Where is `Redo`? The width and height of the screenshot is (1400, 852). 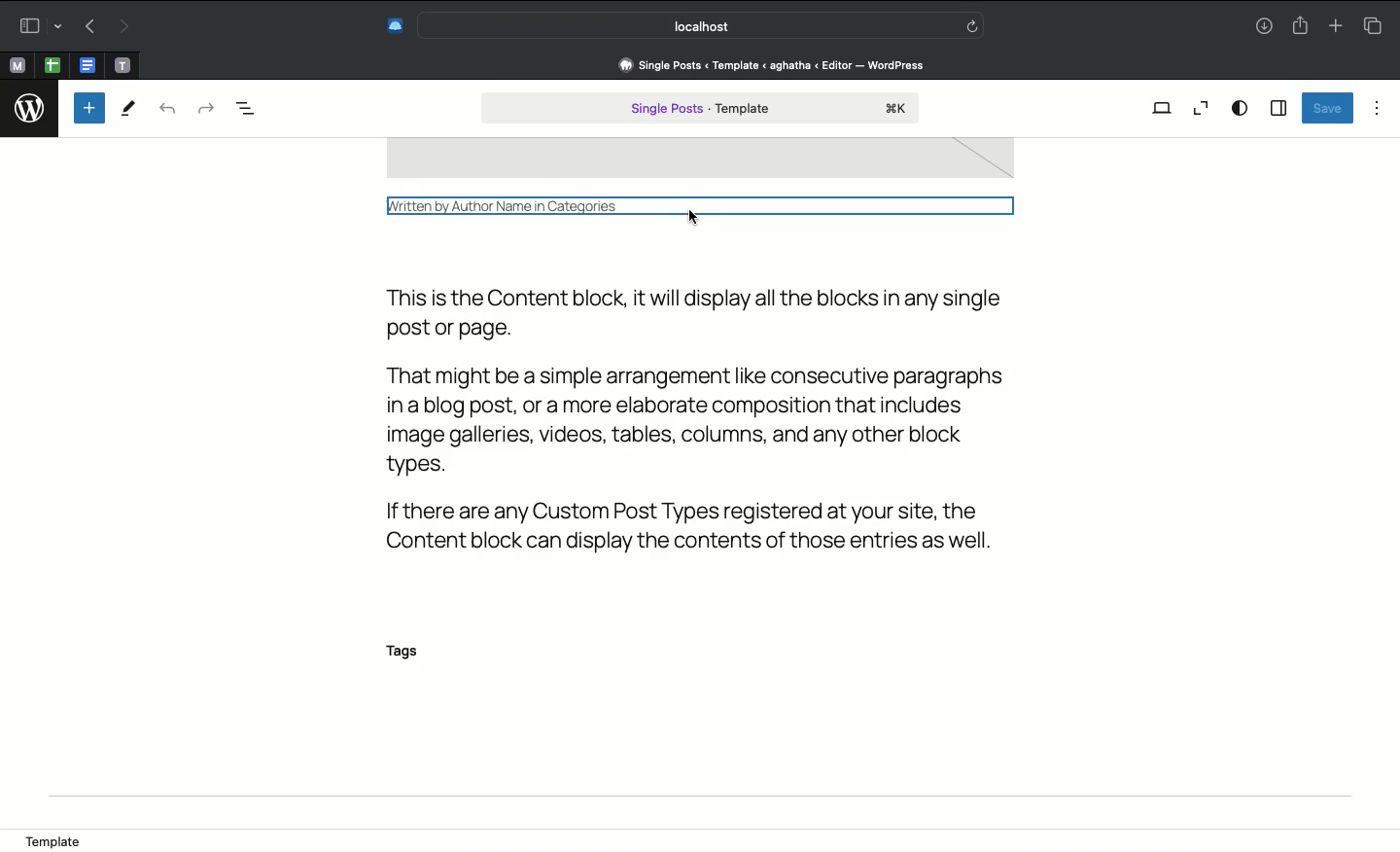
Redo is located at coordinates (204, 107).